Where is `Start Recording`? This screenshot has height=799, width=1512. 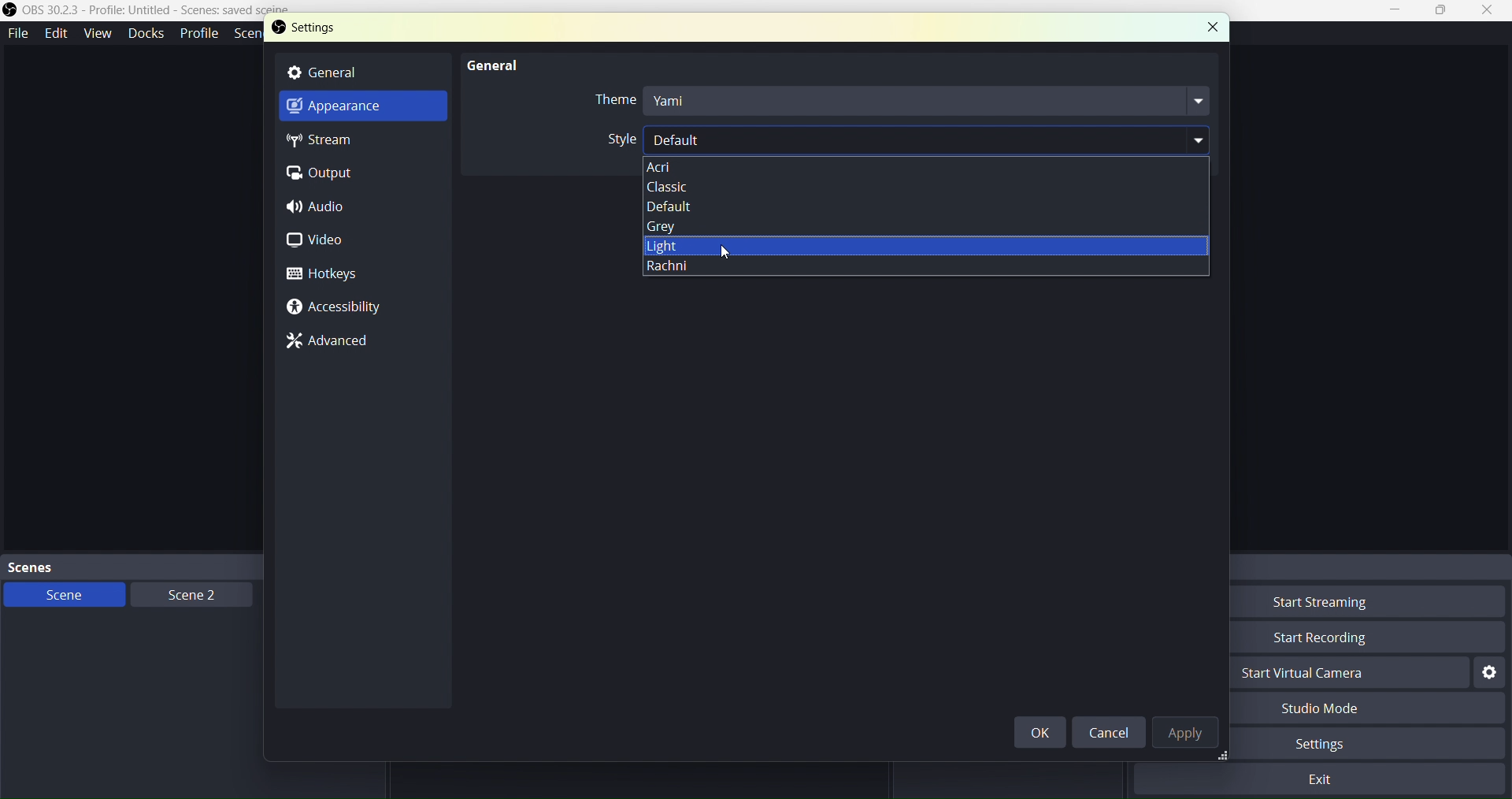
Start Recording is located at coordinates (1351, 637).